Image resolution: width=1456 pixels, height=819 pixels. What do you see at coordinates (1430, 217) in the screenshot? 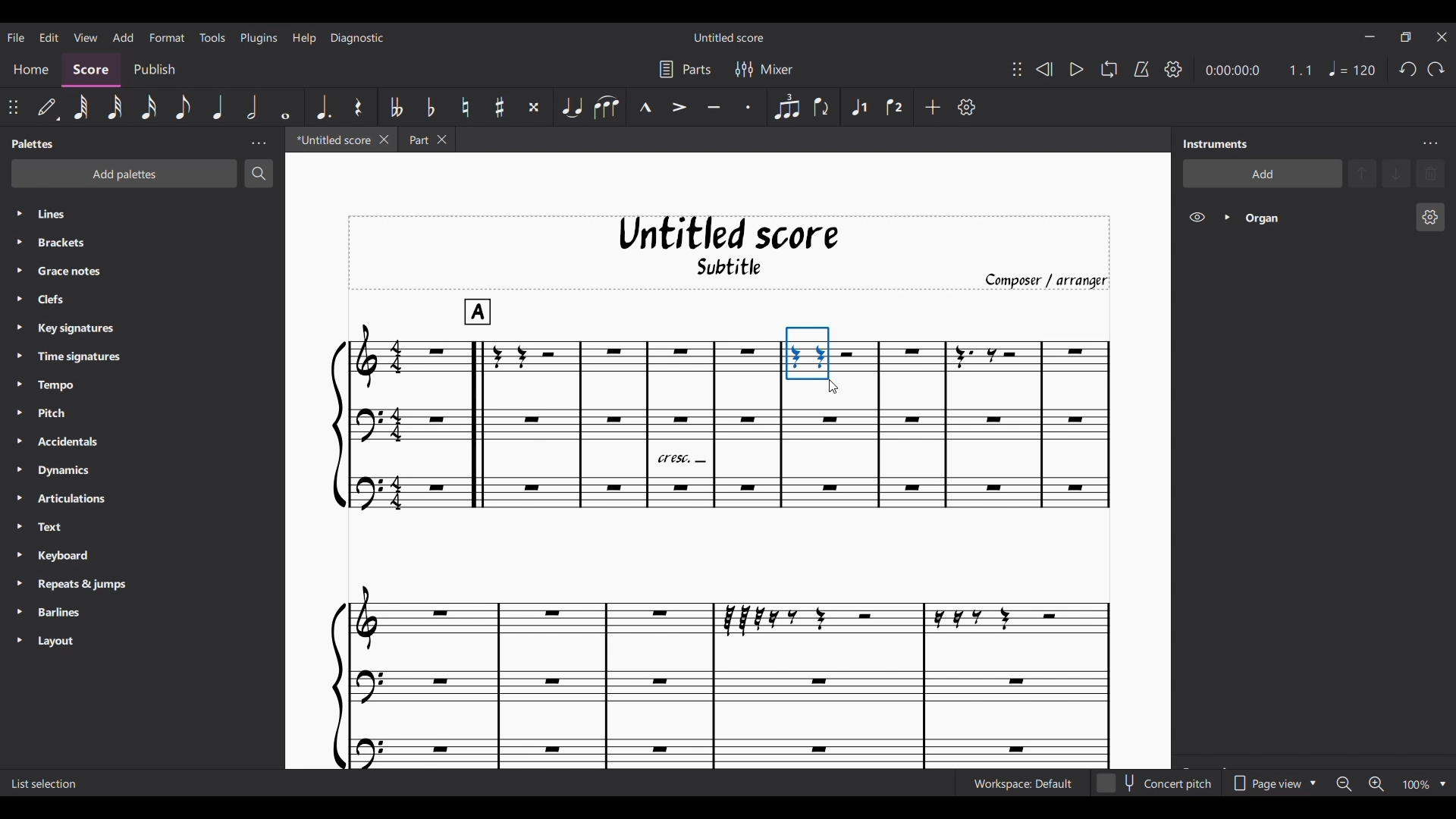
I see `Organ instrument settings` at bounding box center [1430, 217].